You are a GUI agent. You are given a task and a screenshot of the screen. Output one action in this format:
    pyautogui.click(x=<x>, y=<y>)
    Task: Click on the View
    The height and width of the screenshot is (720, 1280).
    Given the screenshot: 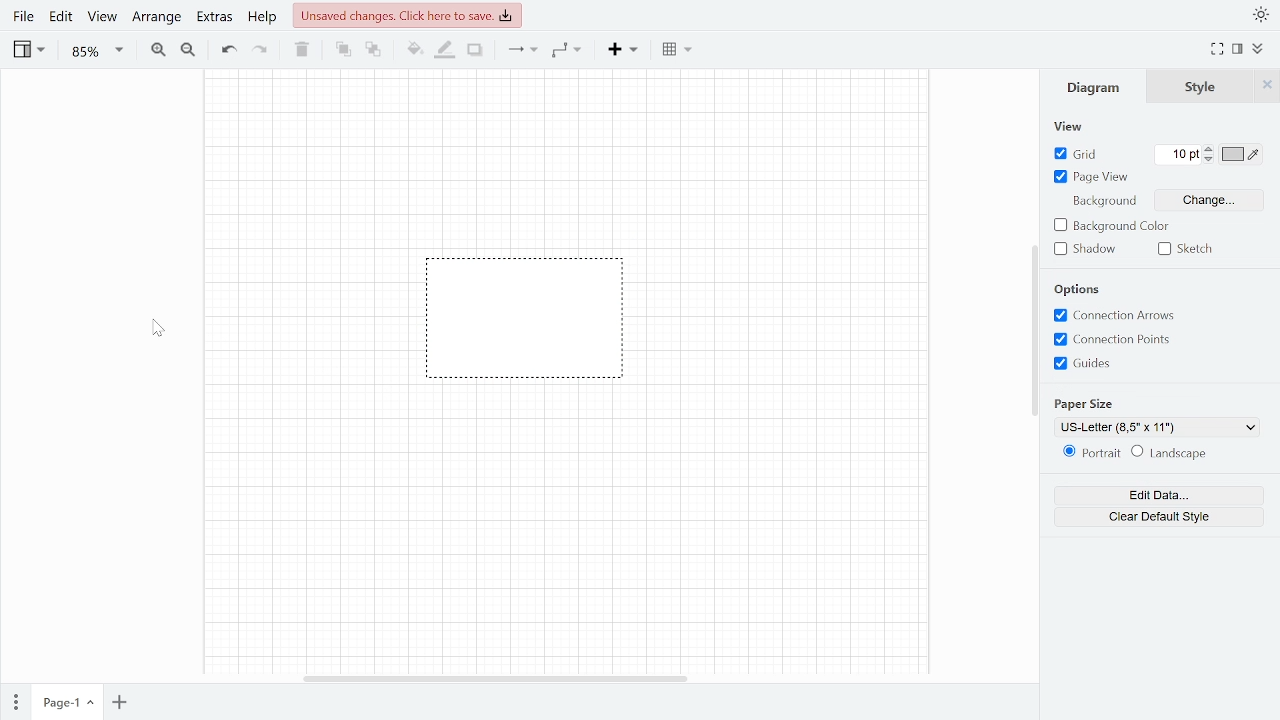 What is the action you would take?
    pyautogui.click(x=28, y=51)
    